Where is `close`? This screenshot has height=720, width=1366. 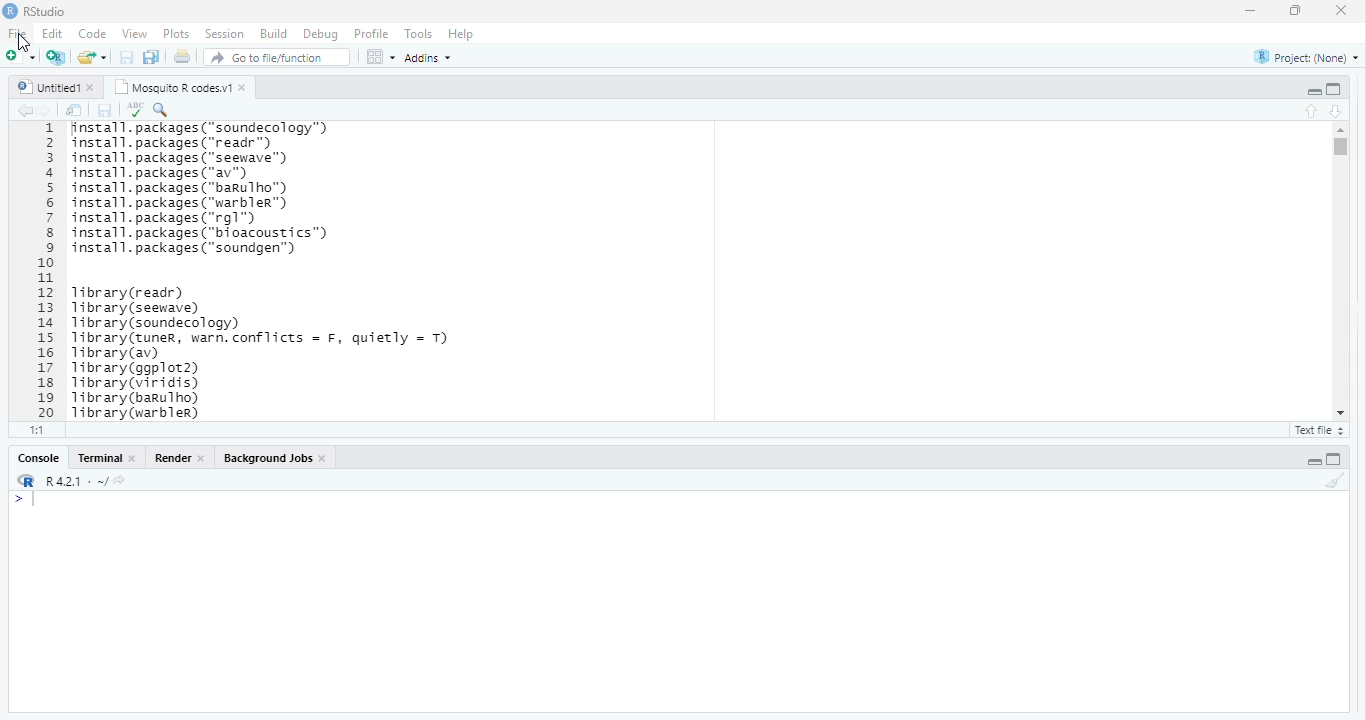 close is located at coordinates (244, 88).